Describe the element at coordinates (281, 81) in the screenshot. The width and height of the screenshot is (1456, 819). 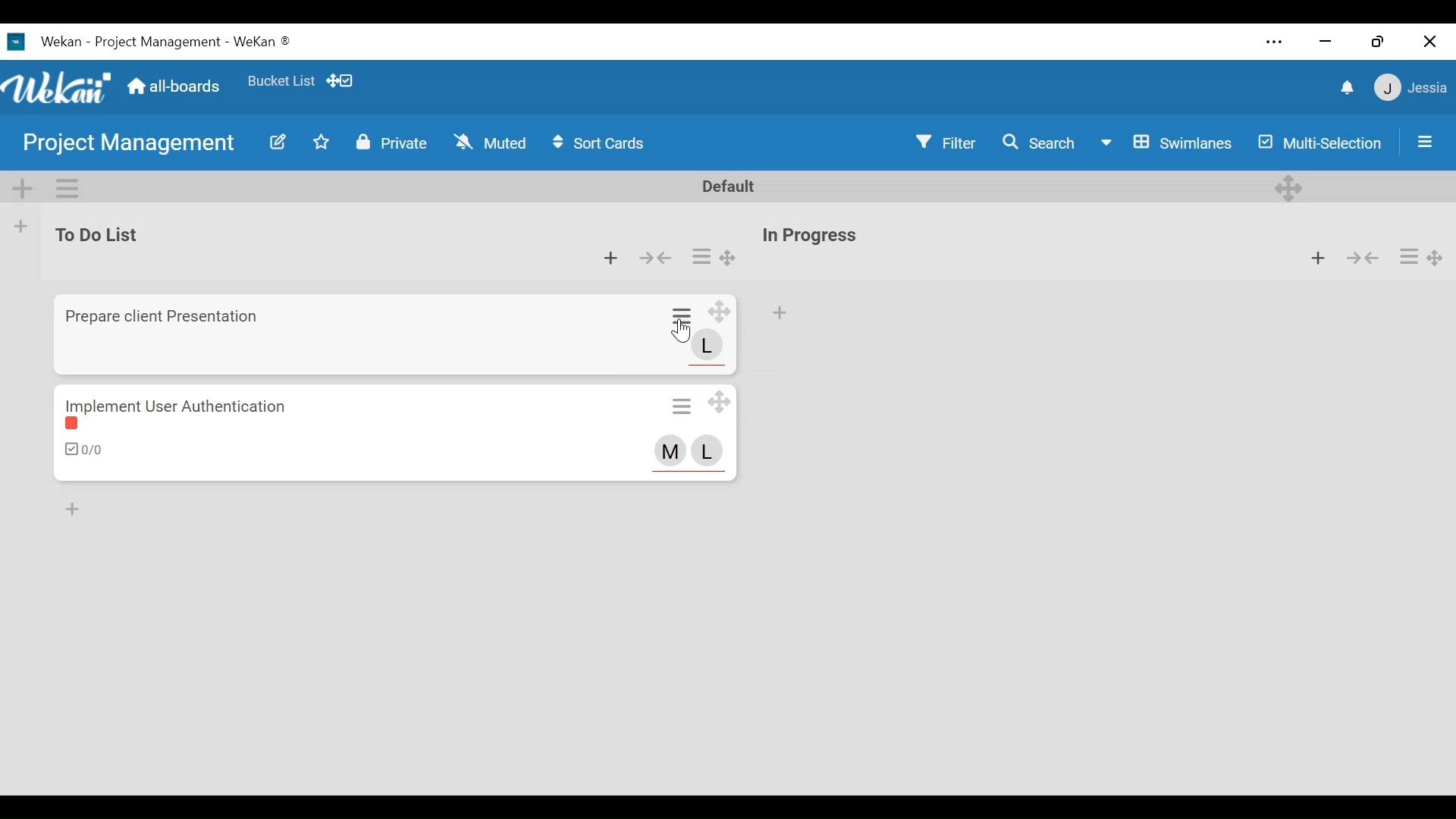
I see `Favorites` at that location.